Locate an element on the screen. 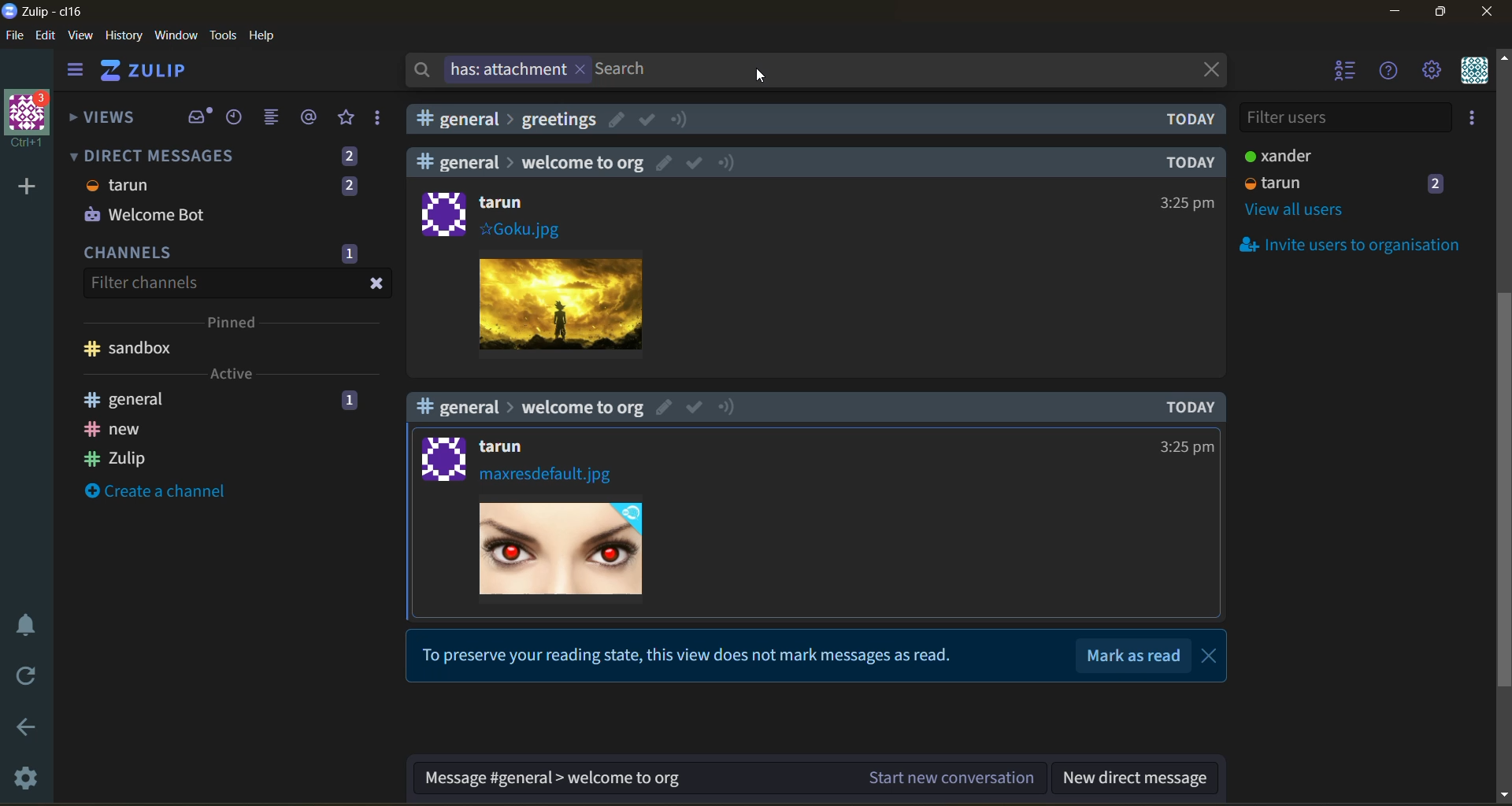  edit is located at coordinates (665, 406).